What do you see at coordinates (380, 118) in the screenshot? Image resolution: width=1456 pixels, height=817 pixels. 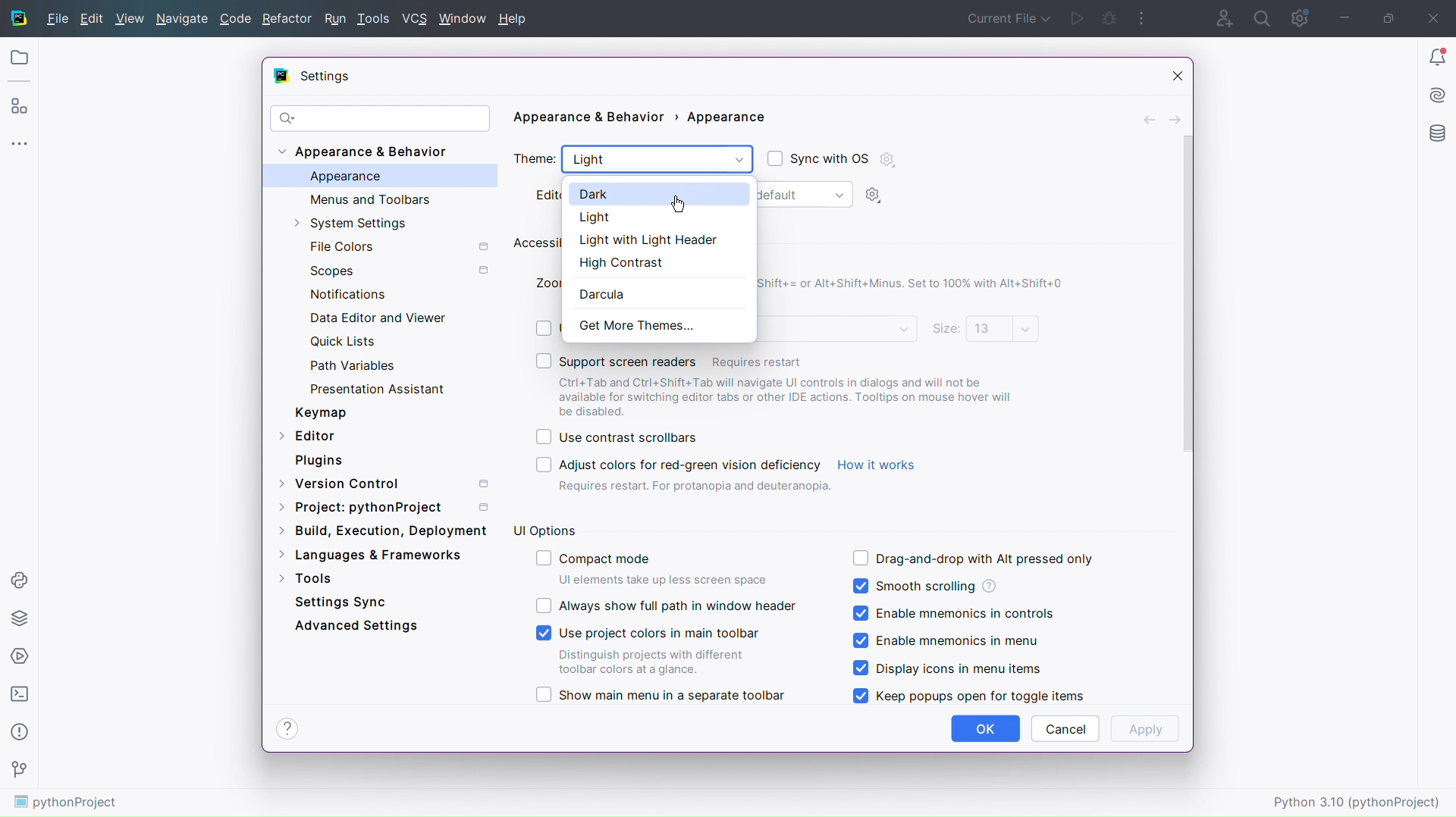 I see `Search Bar` at bounding box center [380, 118].